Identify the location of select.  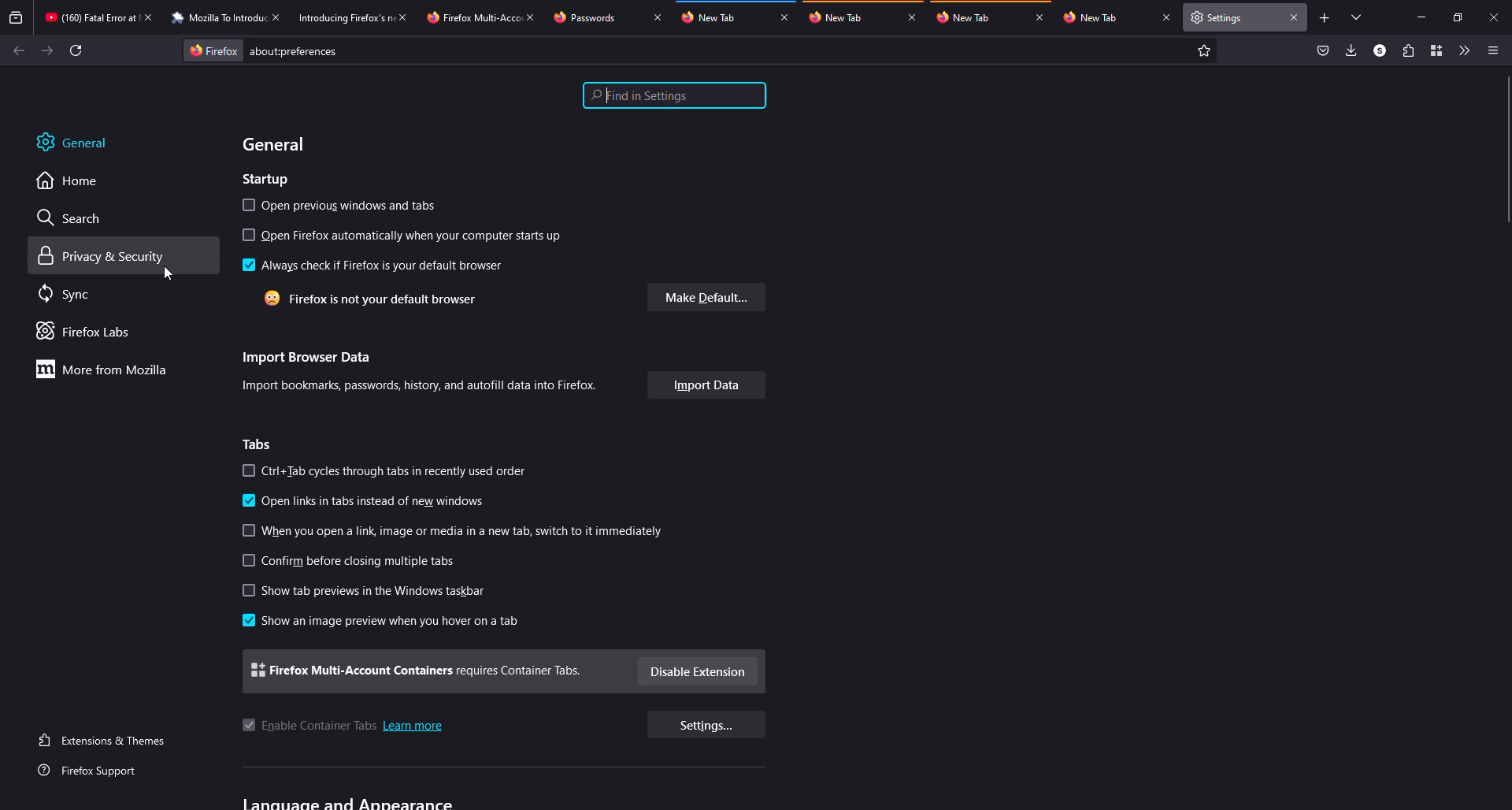
(246, 206).